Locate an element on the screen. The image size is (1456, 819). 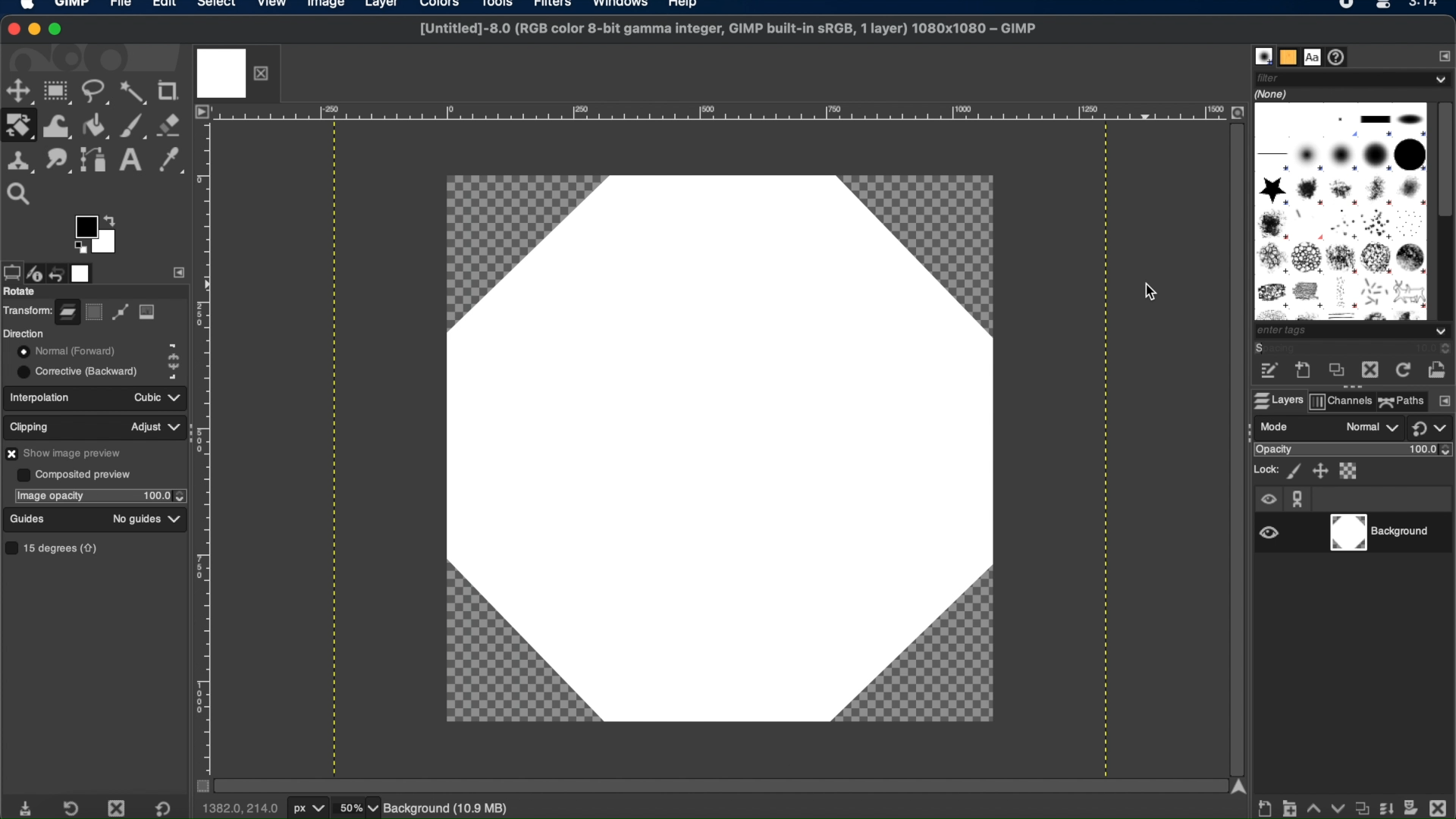
brush types is located at coordinates (1340, 211).